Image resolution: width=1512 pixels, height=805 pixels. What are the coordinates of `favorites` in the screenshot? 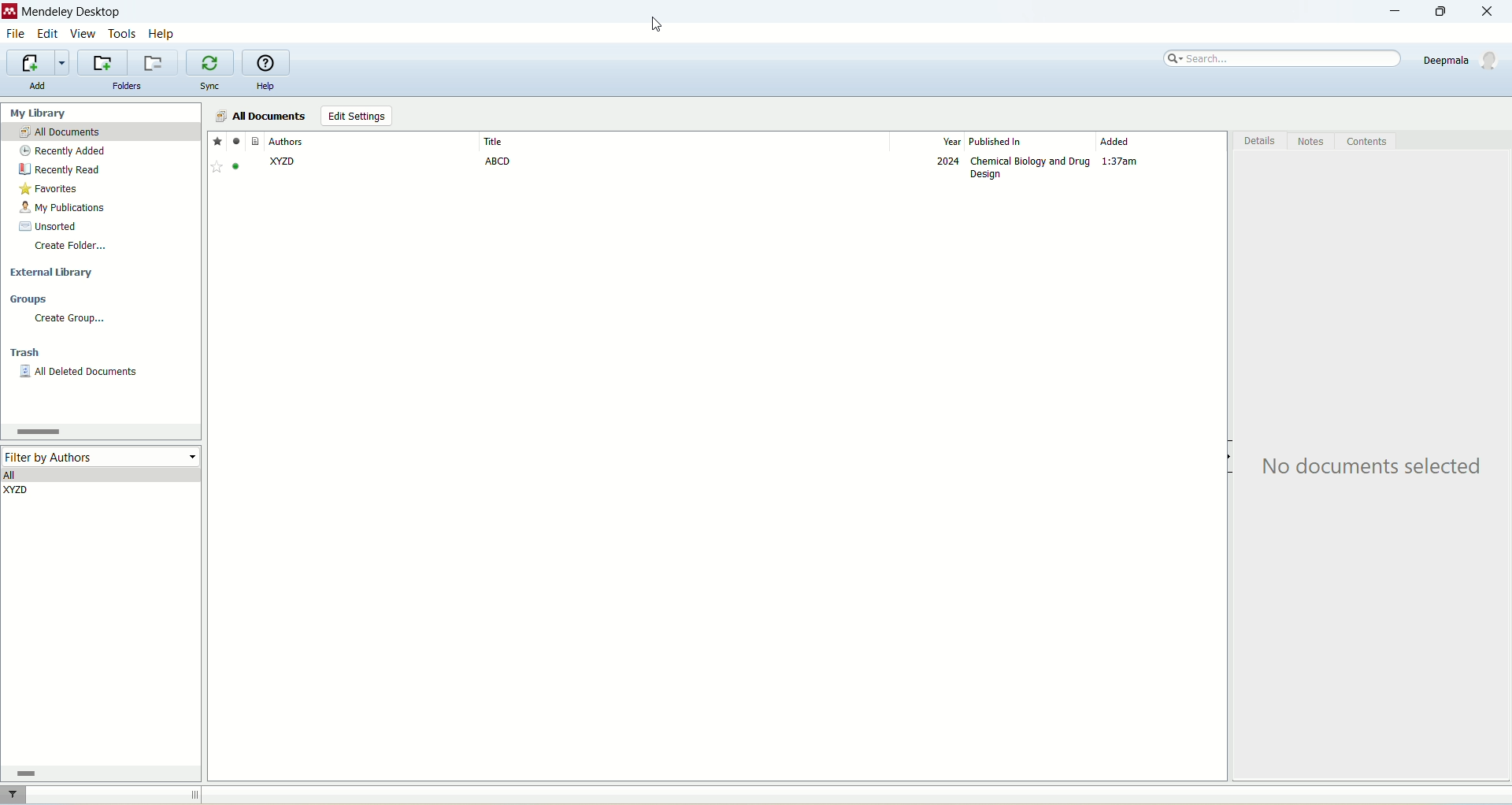 It's located at (50, 191).